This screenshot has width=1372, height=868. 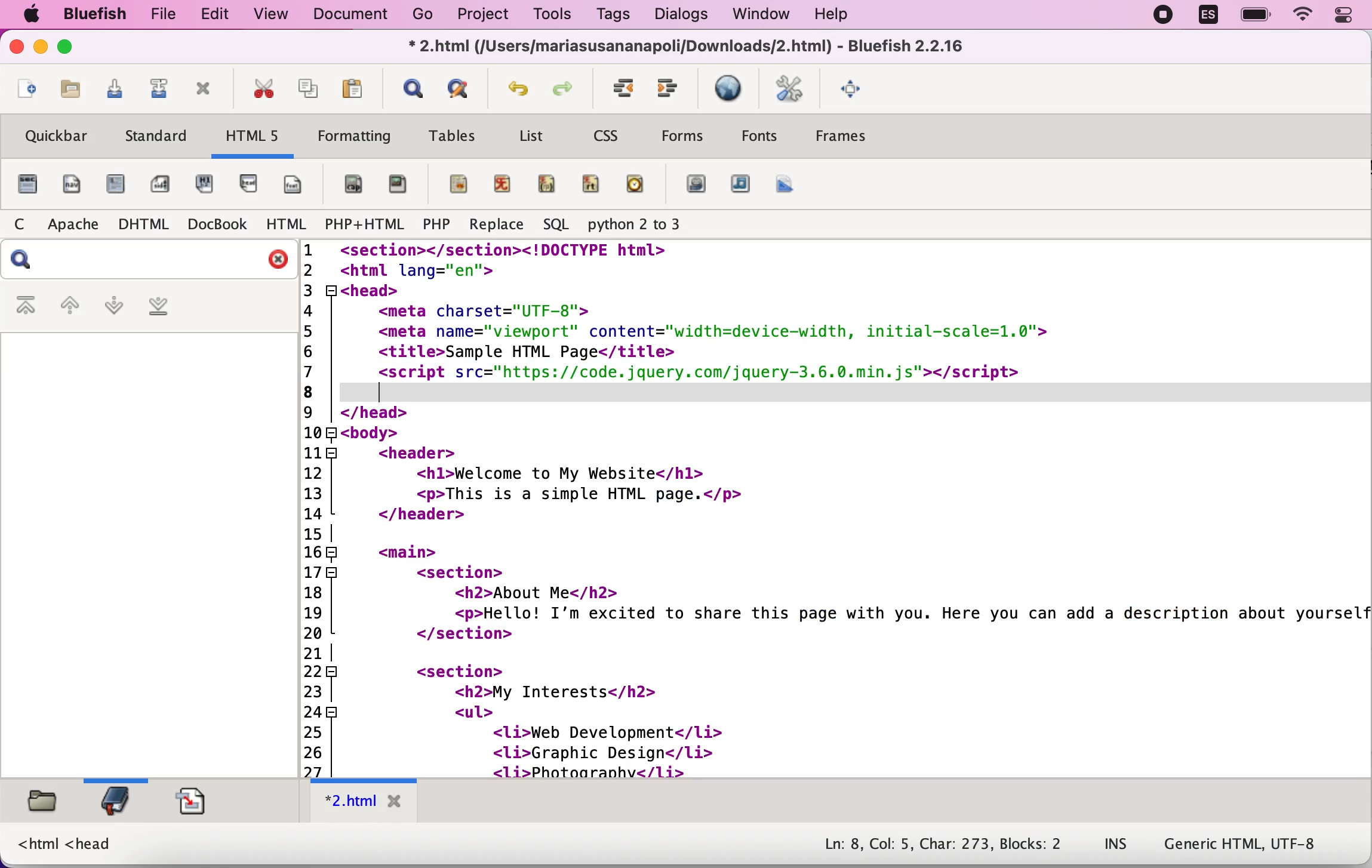 I want to click on mac logo, so click(x=33, y=14).